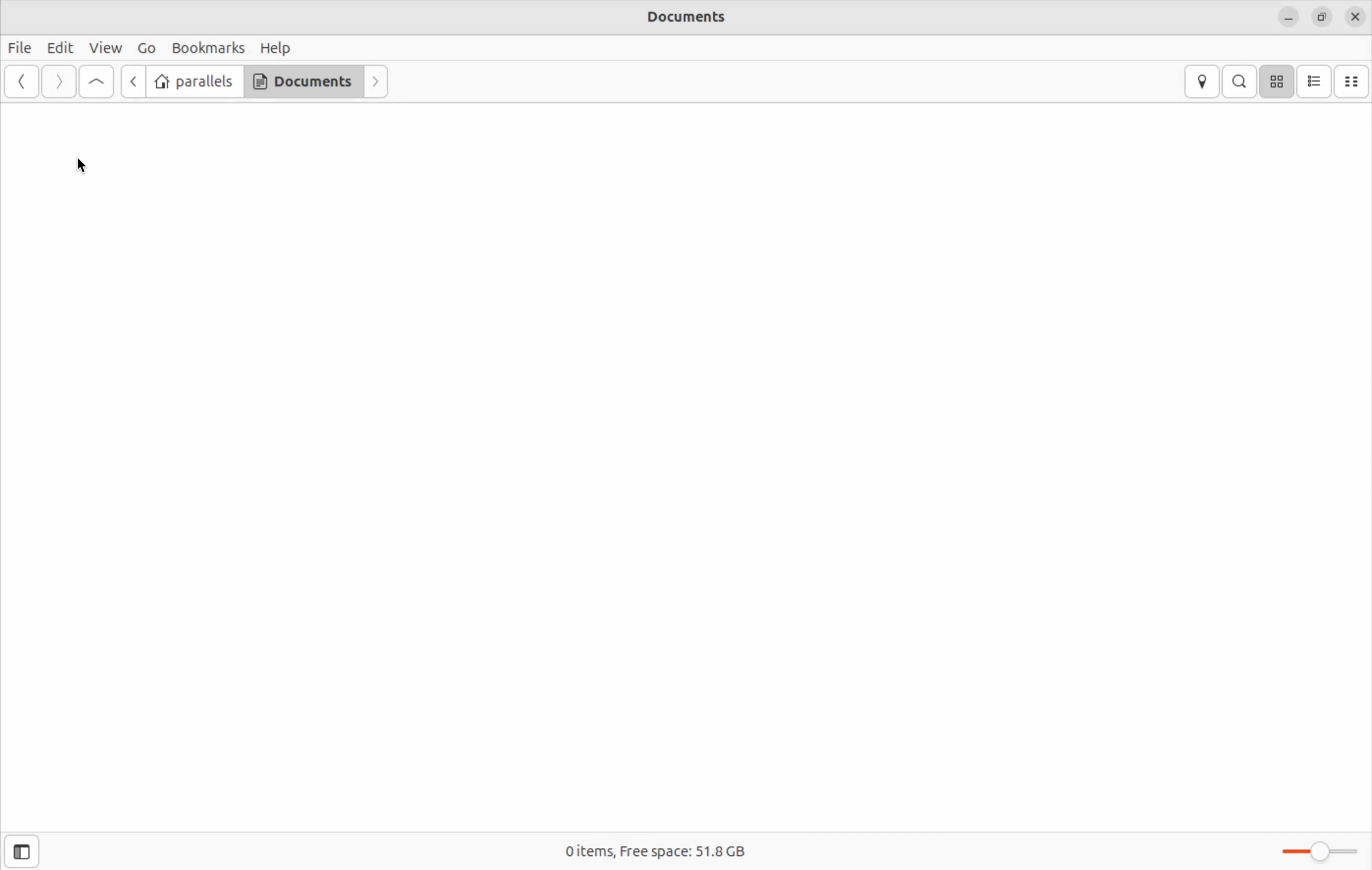 This screenshot has height=870, width=1372. I want to click on resize, so click(1319, 17).